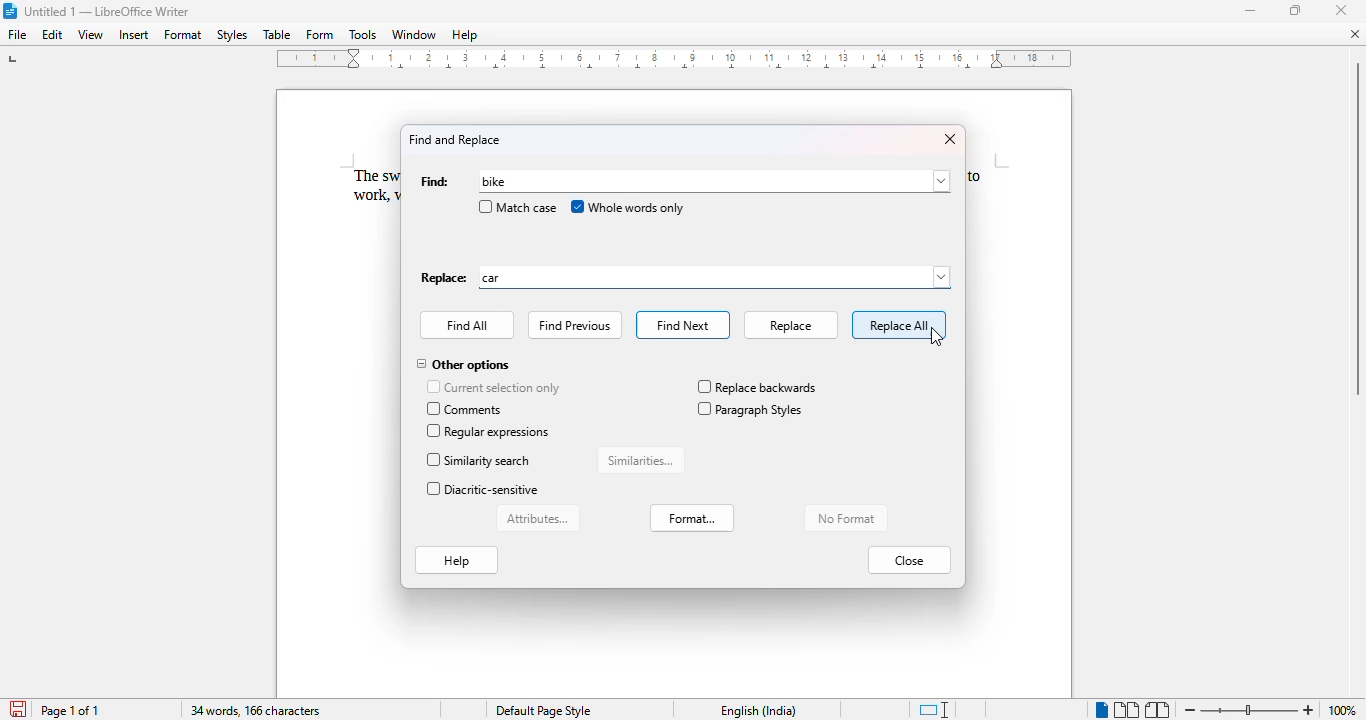 The height and width of the screenshot is (720, 1366). What do you see at coordinates (1101, 710) in the screenshot?
I see `single-page view` at bounding box center [1101, 710].